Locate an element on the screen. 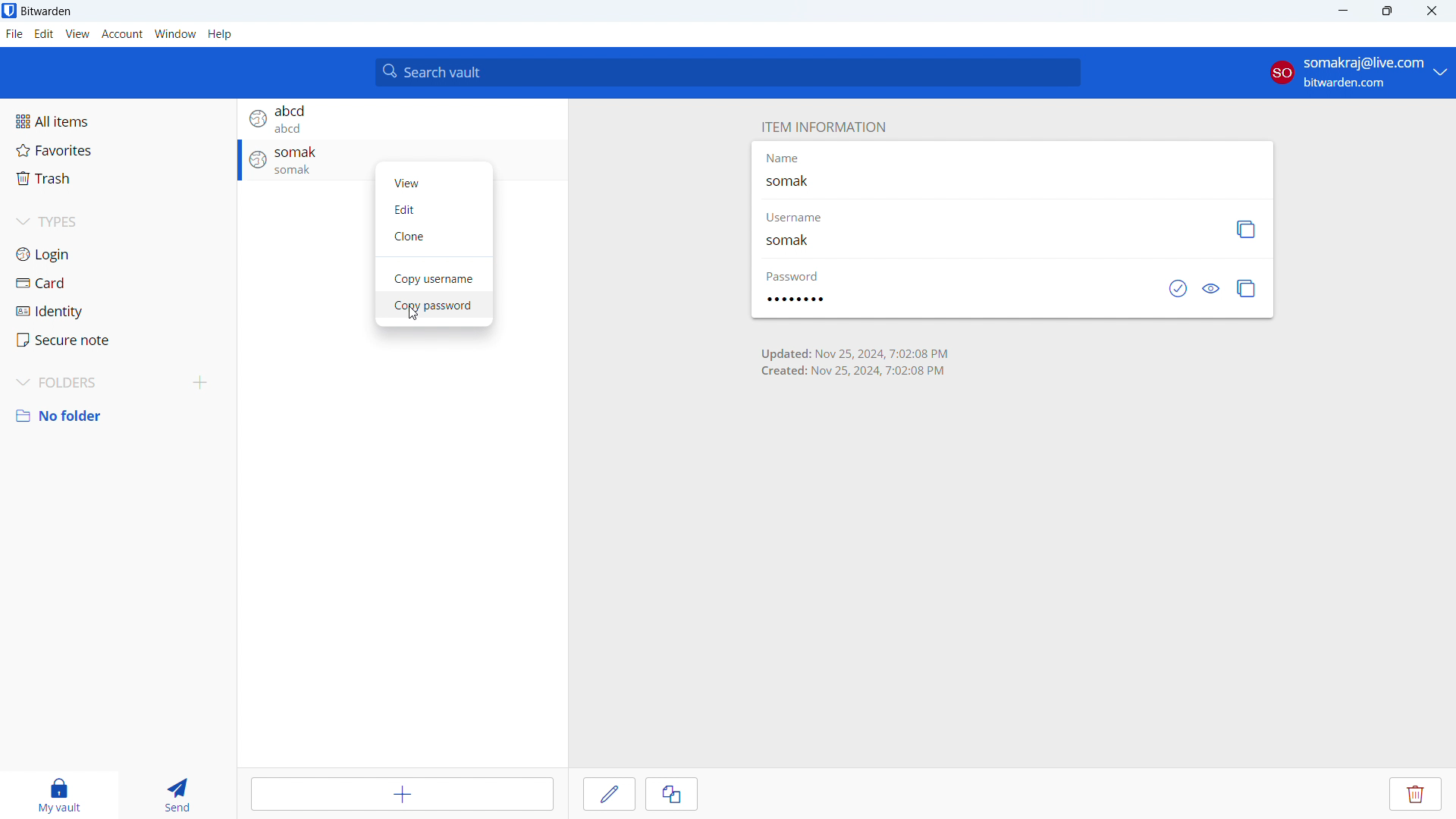 The width and height of the screenshot is (1456, 819). minimize is located at coordinates (1341, 11).